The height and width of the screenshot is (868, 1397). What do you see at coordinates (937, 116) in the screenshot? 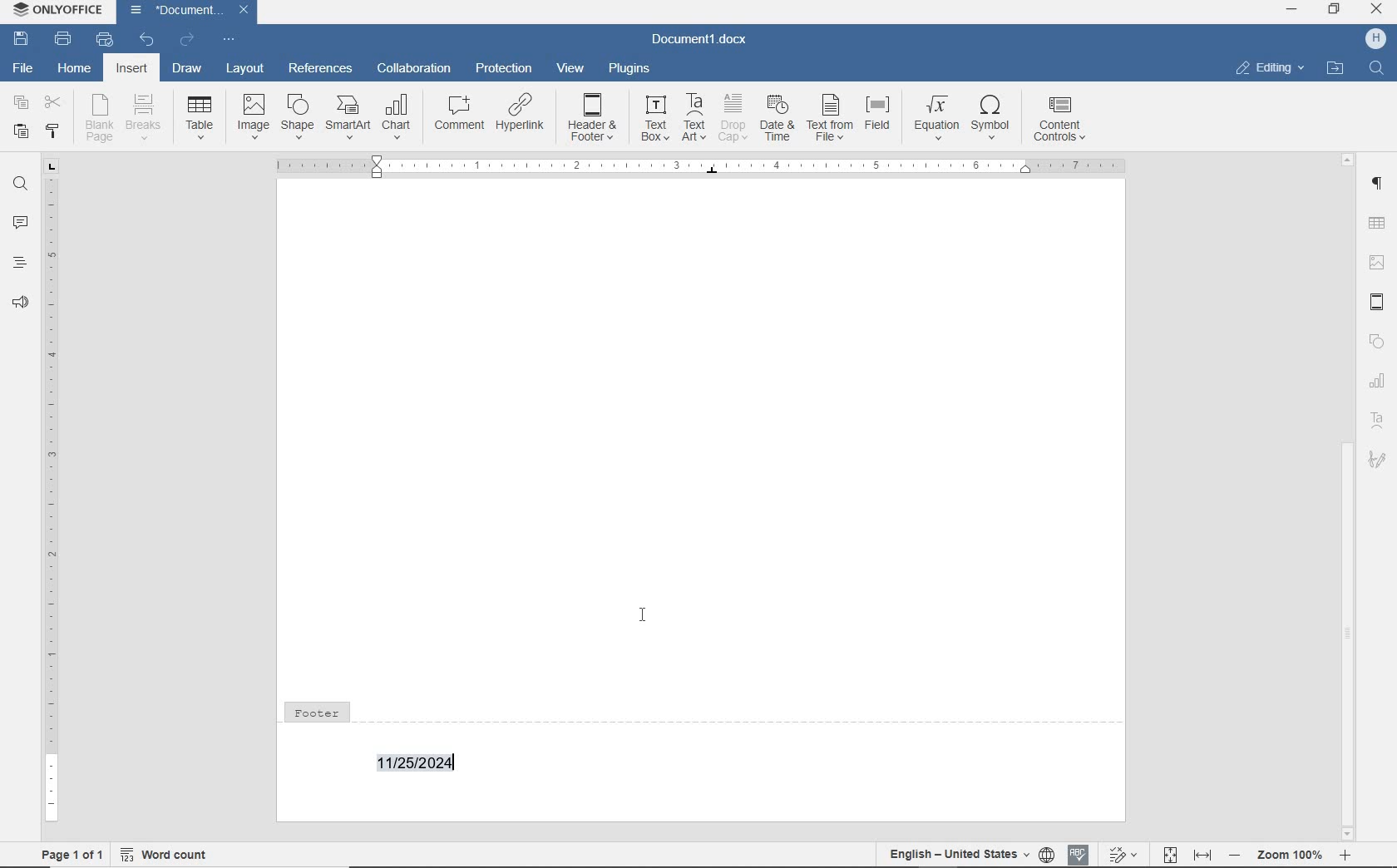
I see `equation` at bounding box center [937, 116].